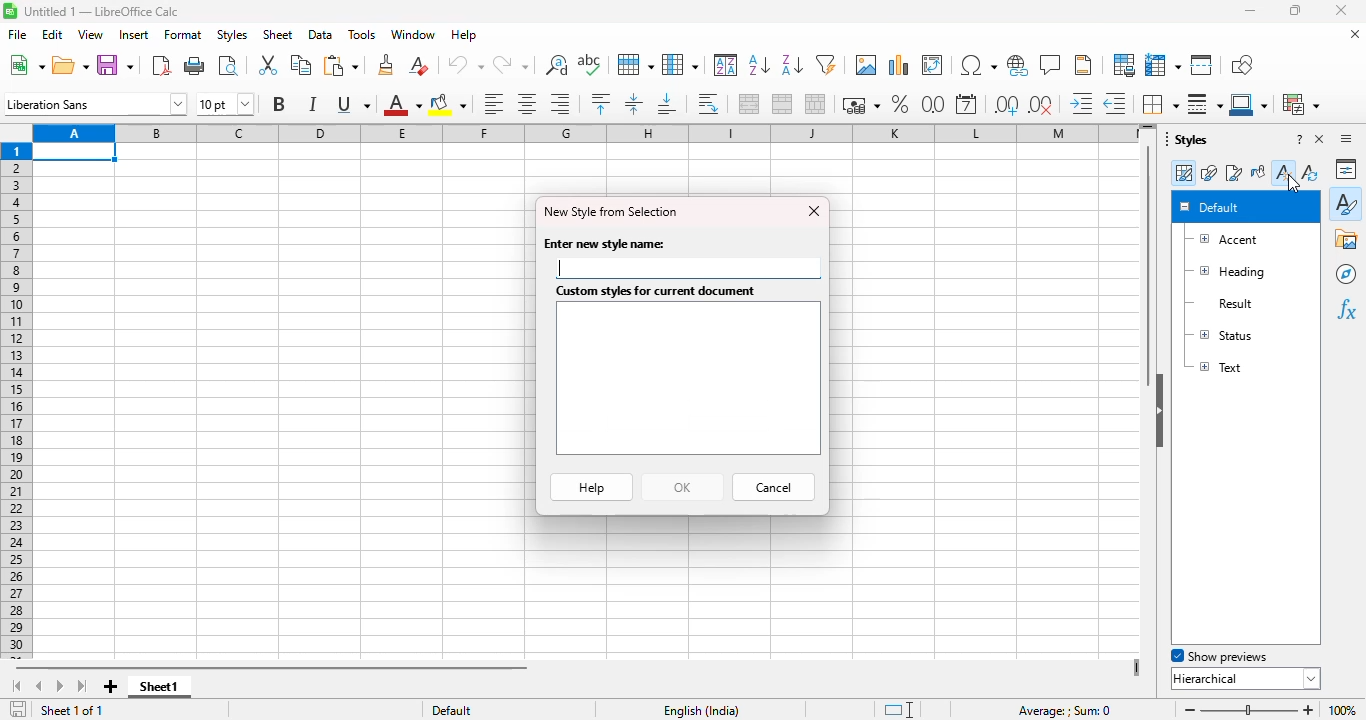 The image size is (1366, 720). What do you see at coordinates (1346, 138) in the screenshot?
I see `sidebar settings` at bounding box center [1346, 138].